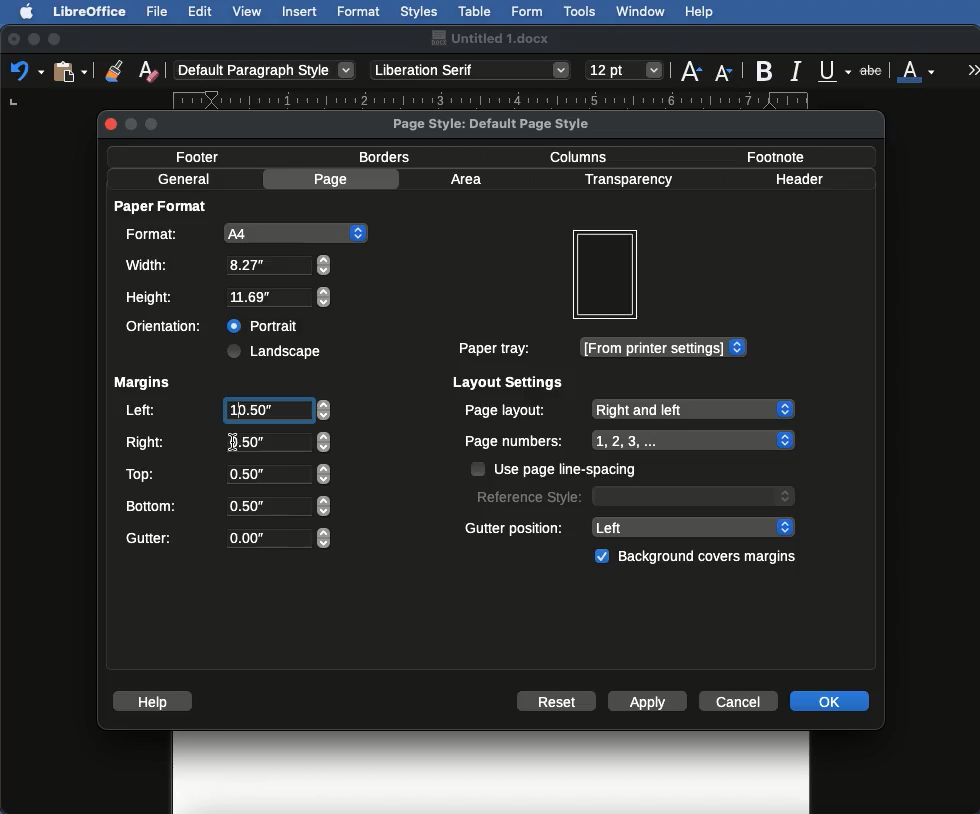  Describe the element at coordinates (168, 326) in the screenshot. I see `Orientation` at that location.